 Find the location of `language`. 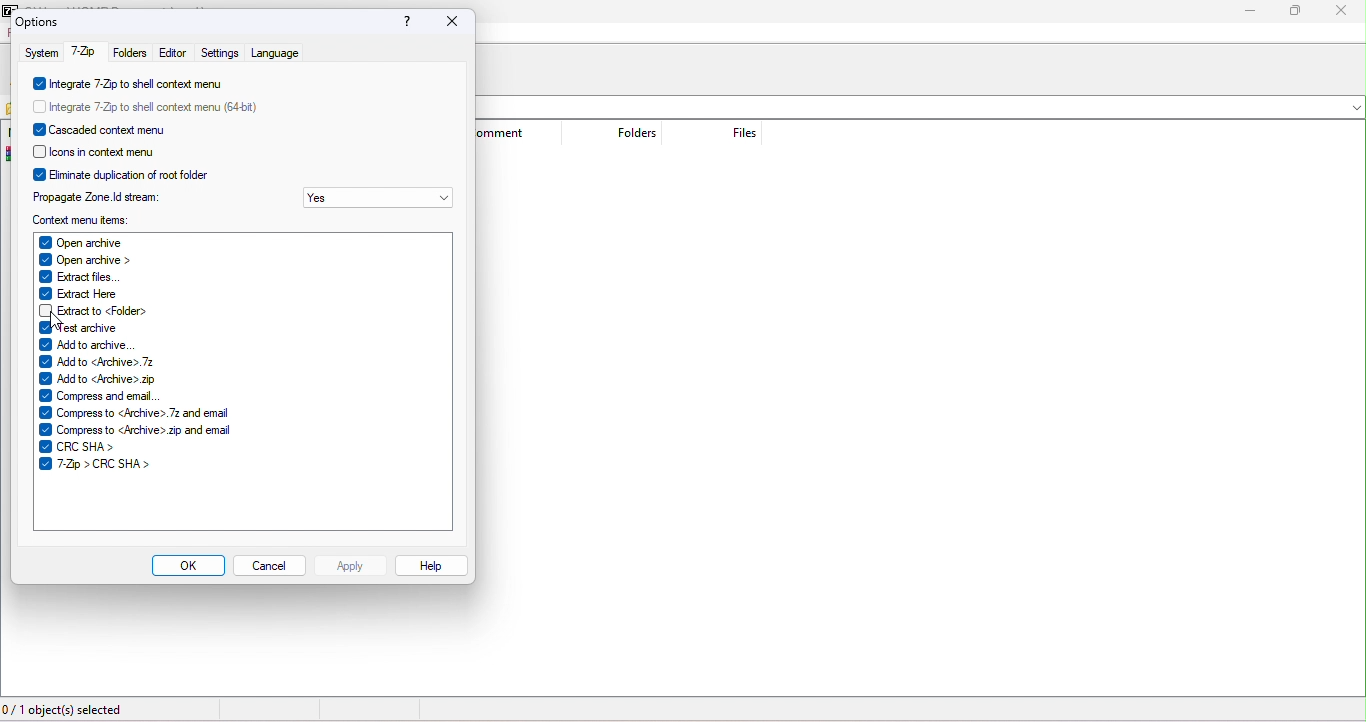

language is located at coordinates (274, 52).